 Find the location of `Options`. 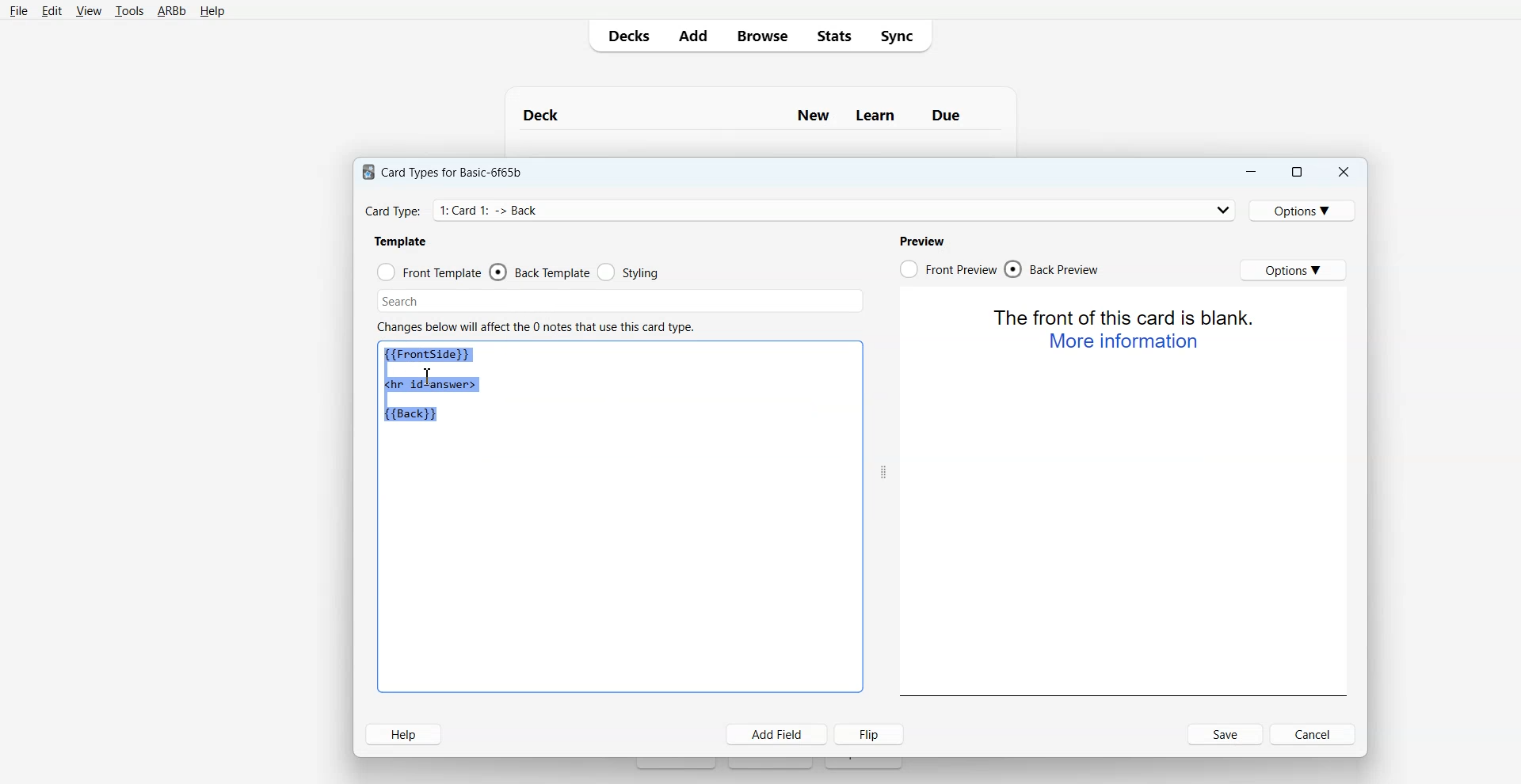

Options is located at coordinates (1306, 209).